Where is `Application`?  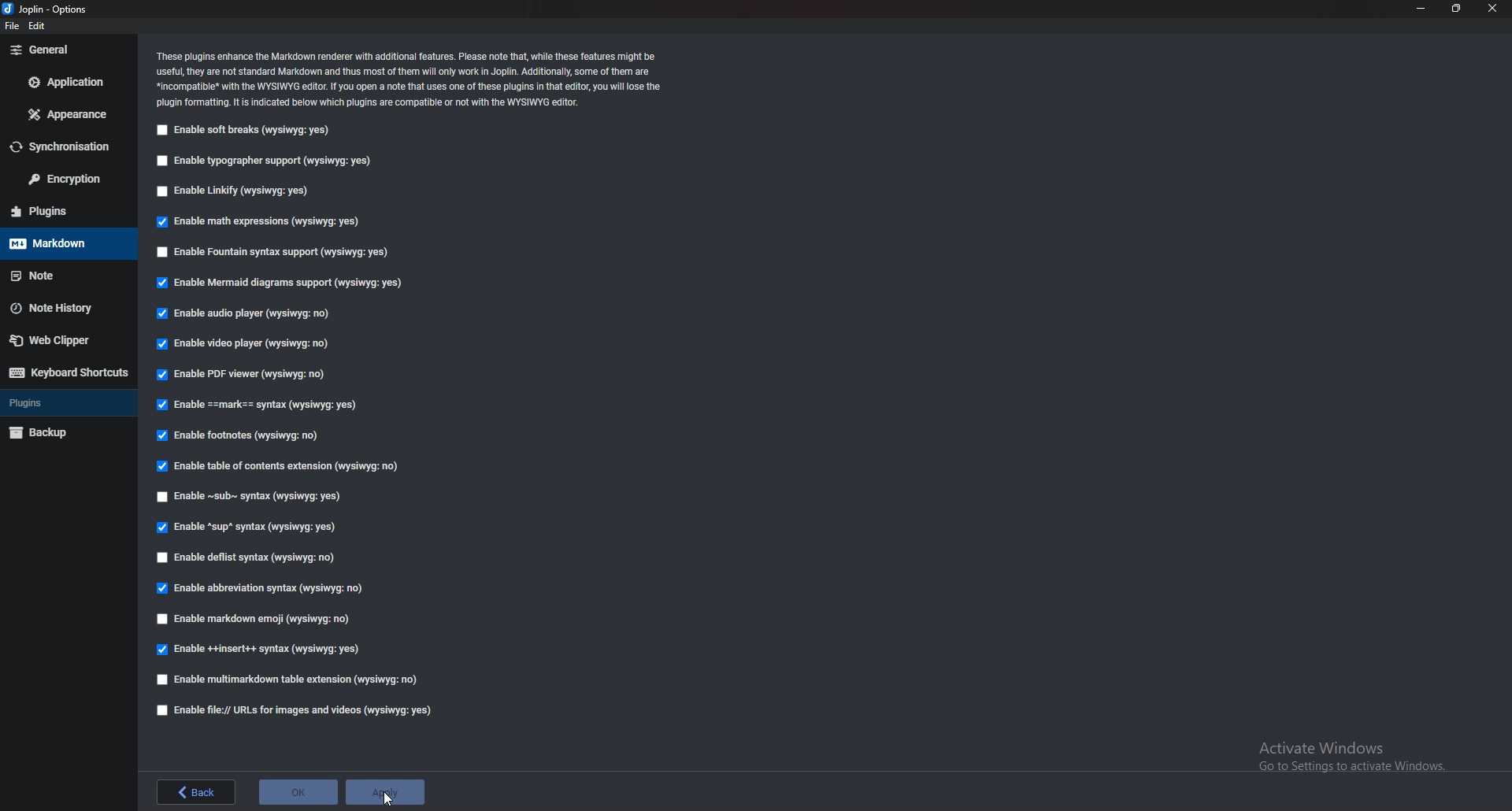
Application is located at coordinates (68, 81).